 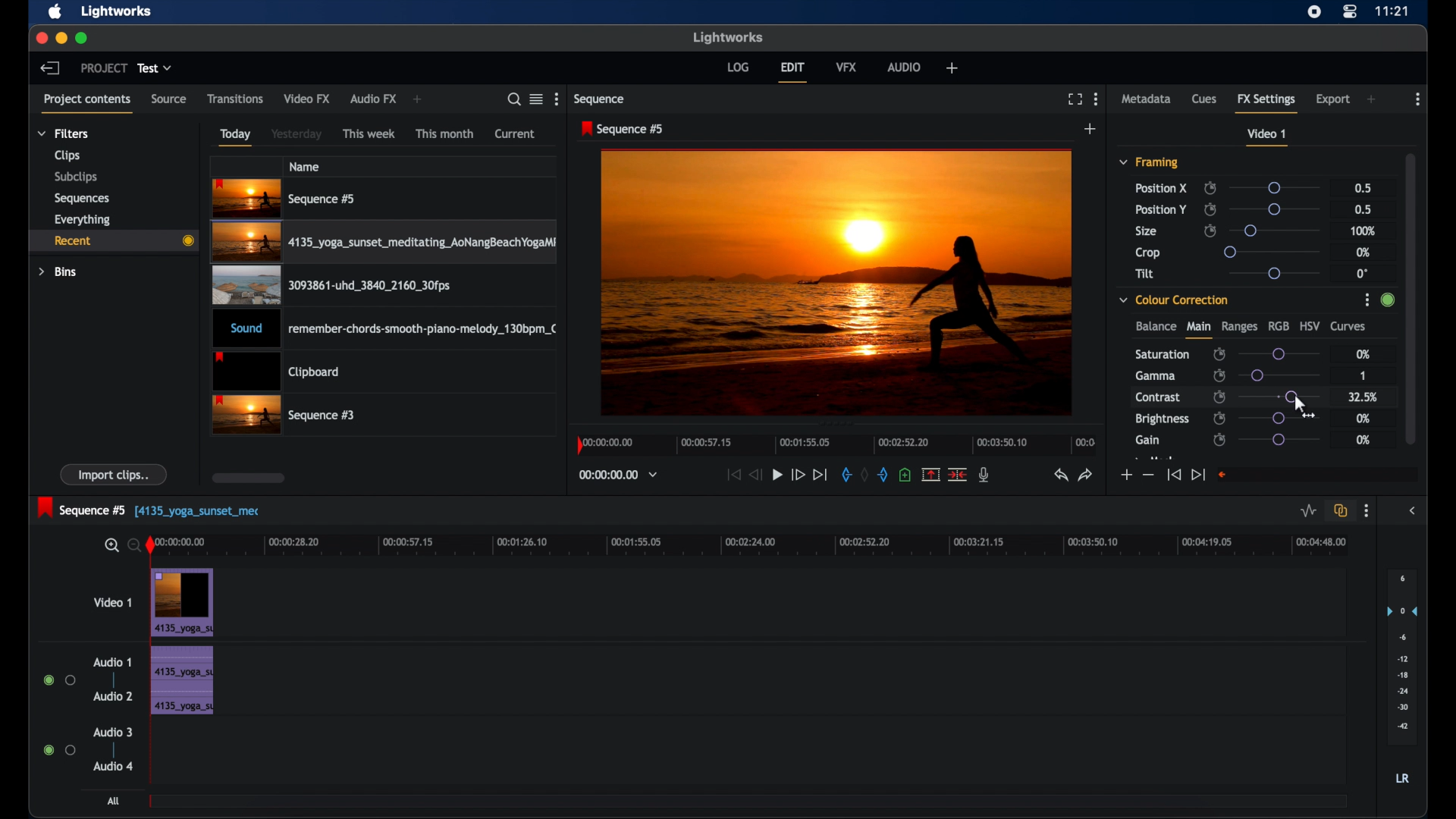 What do you see at coordinates (111, 662) in the screenshot?
I see `audio 1` at bounding box center [111, 662].